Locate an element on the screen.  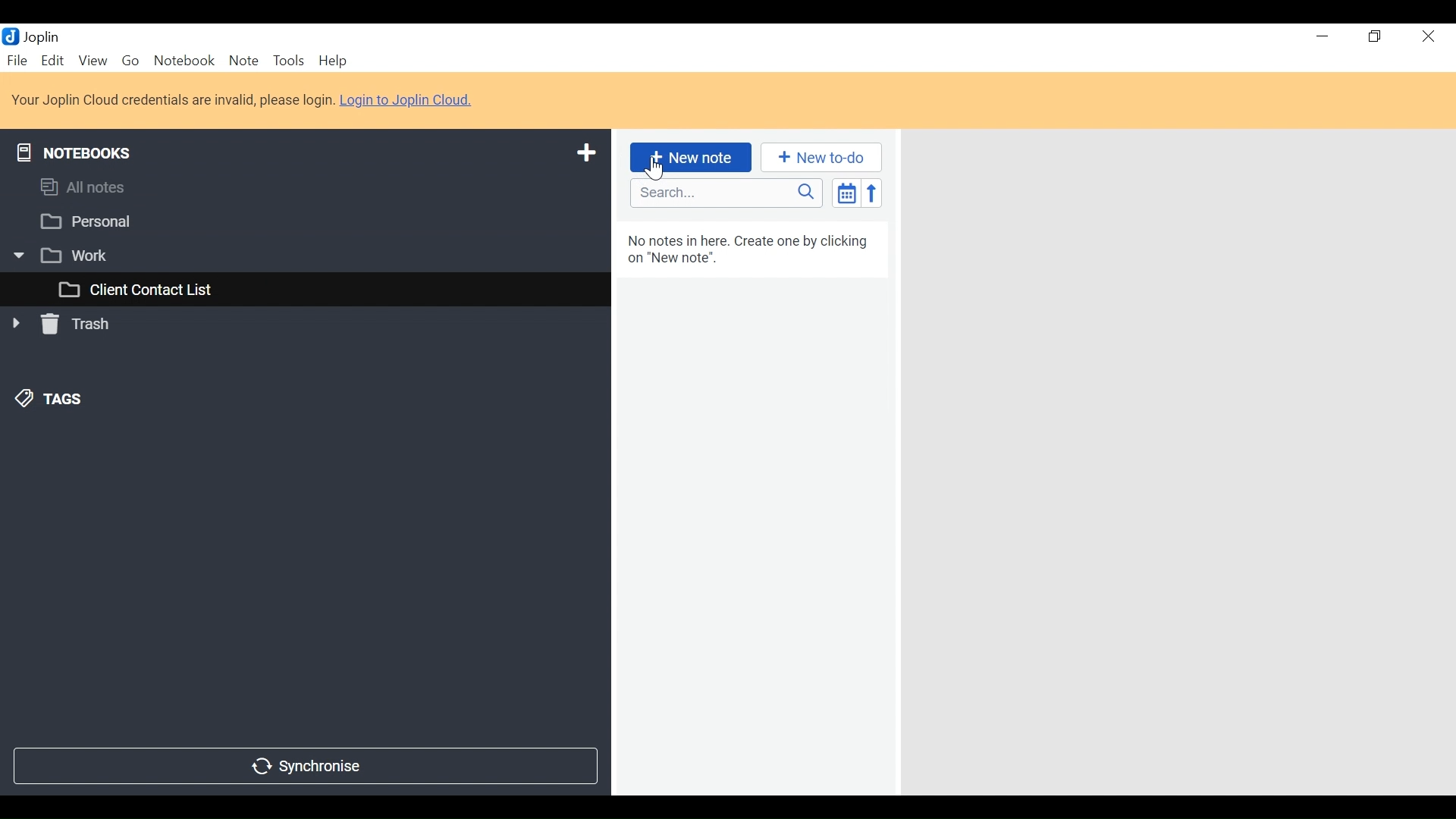
Personal is located at coordinates (300, 221).